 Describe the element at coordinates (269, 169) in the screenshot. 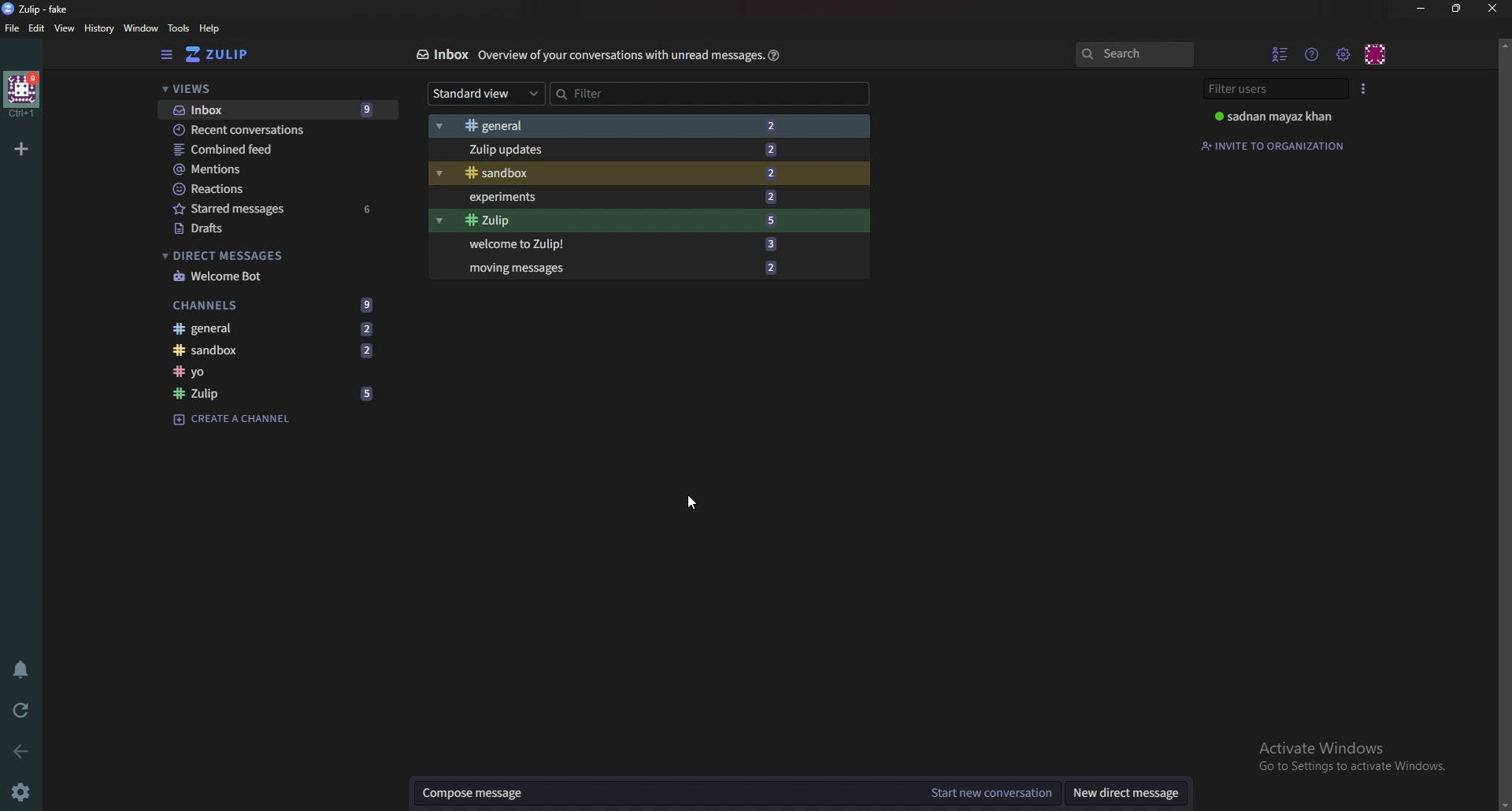

I see `Mentions` at that location.